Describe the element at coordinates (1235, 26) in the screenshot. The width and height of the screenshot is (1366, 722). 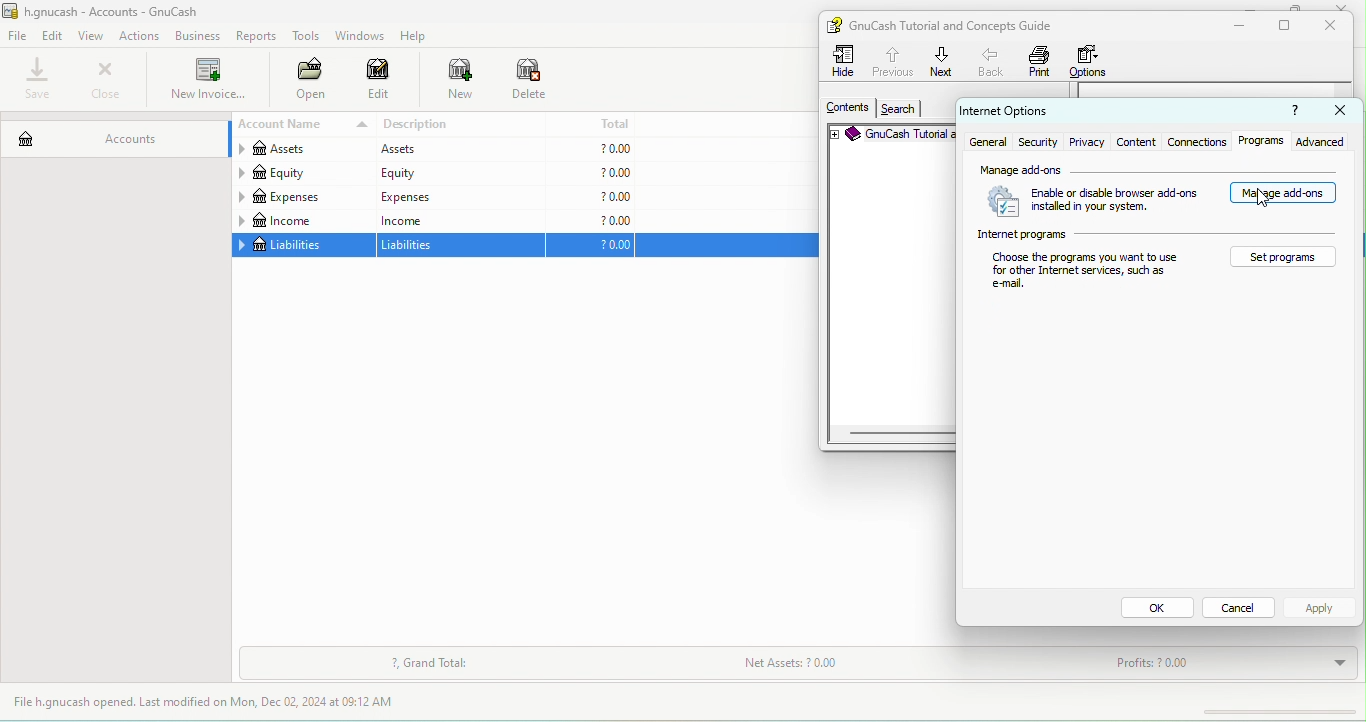
I see `minimize` at that location.